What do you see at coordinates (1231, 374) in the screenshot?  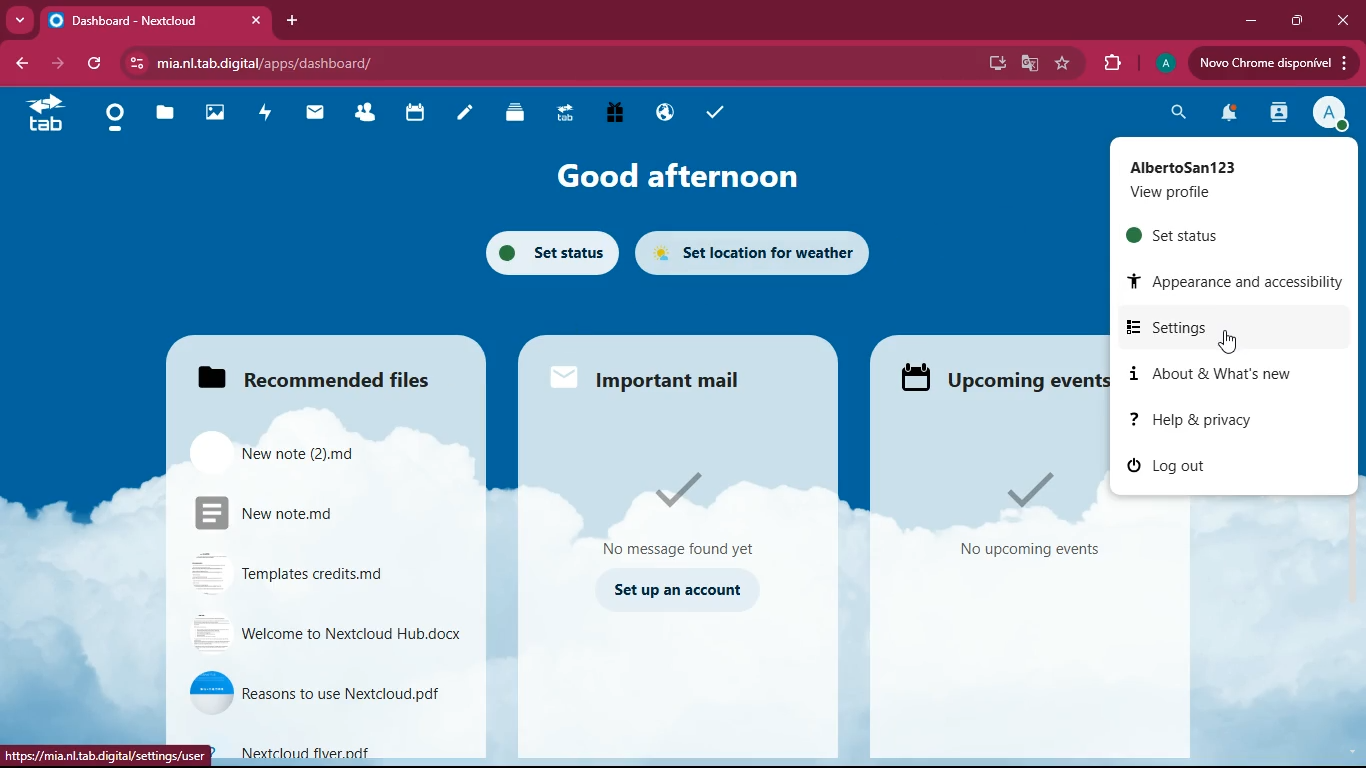 I see `about` at bounding box center [1231, 374].